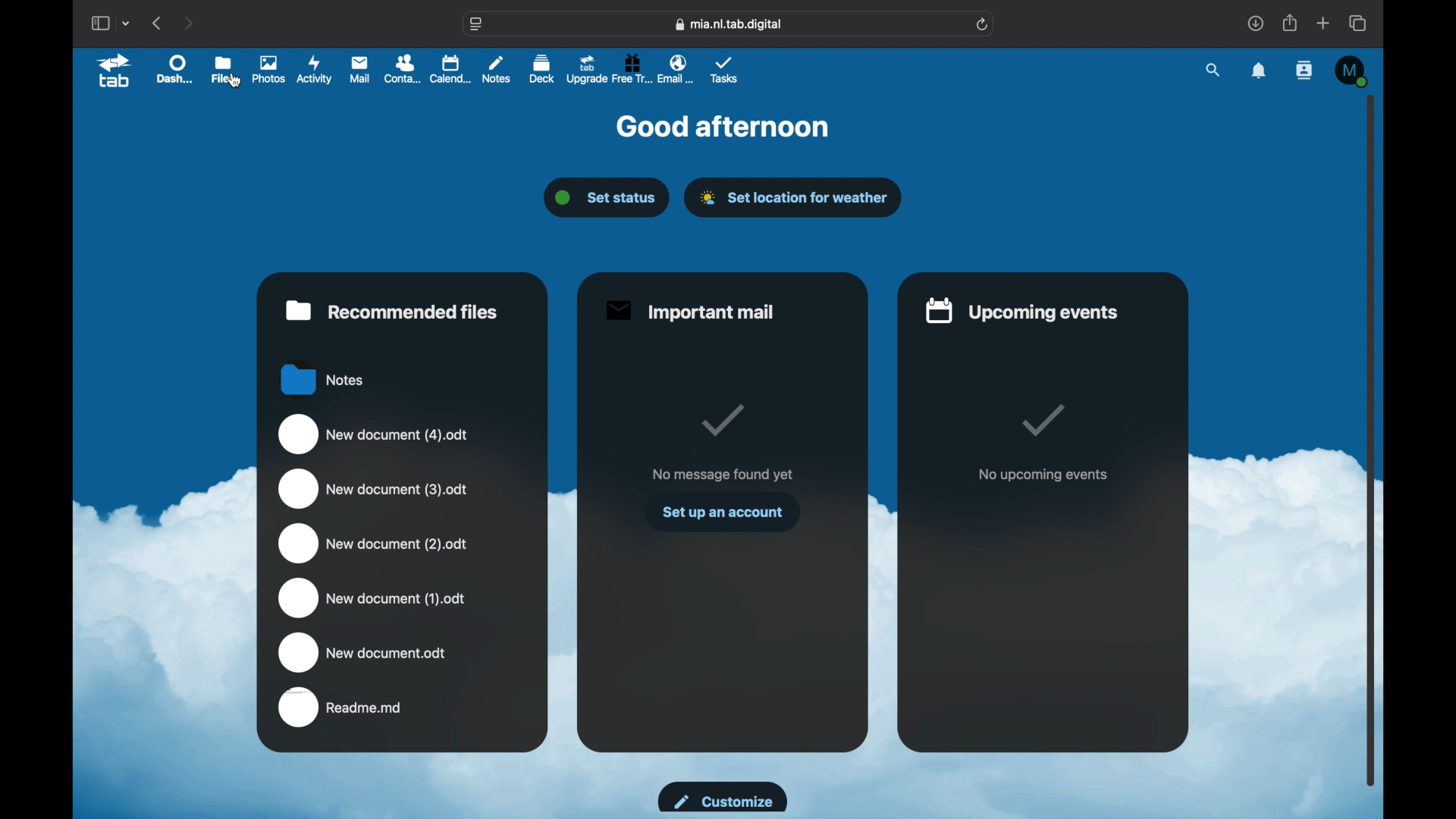  What do you see at coordinates (1255, 23) in the screenshot?
I see `downloads` at bounding box center [1255, 23].